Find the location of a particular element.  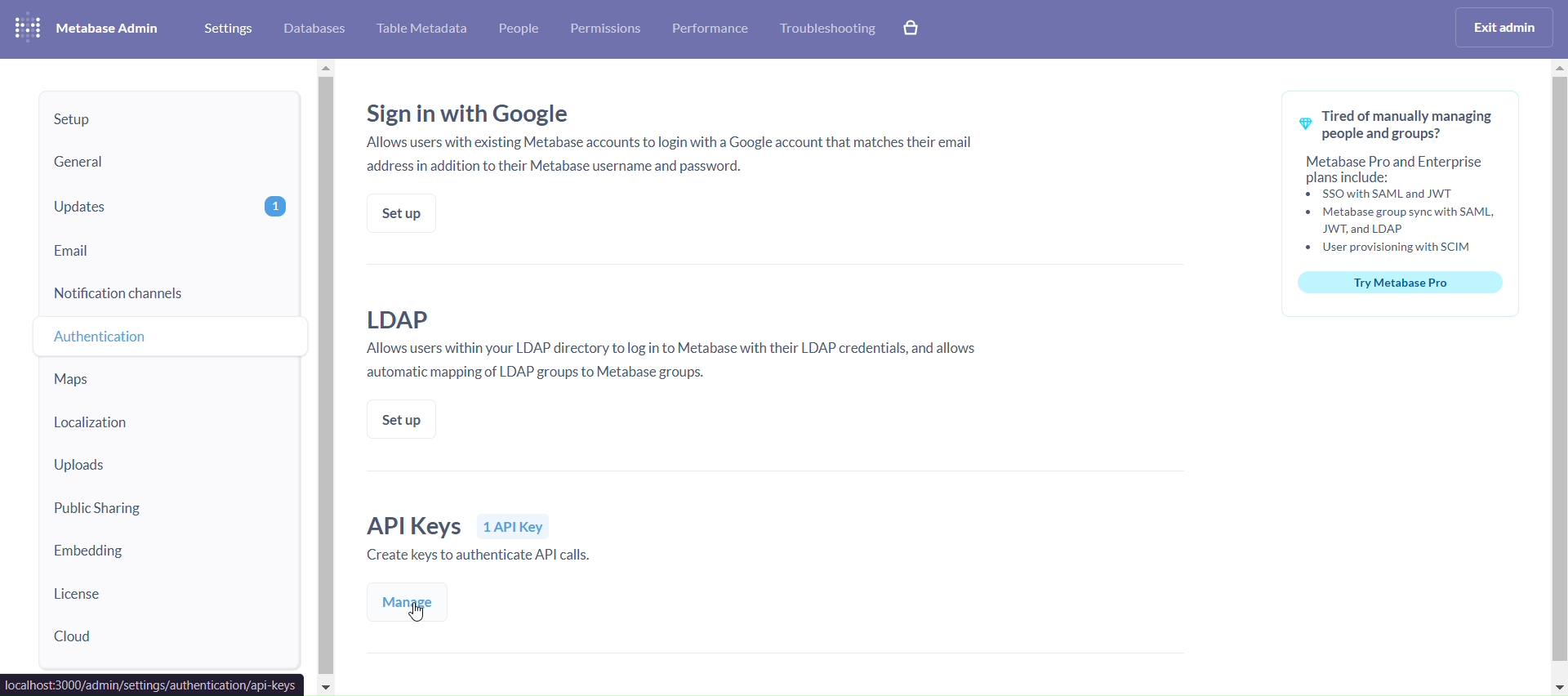

settings is located at coordinates (225, 29).